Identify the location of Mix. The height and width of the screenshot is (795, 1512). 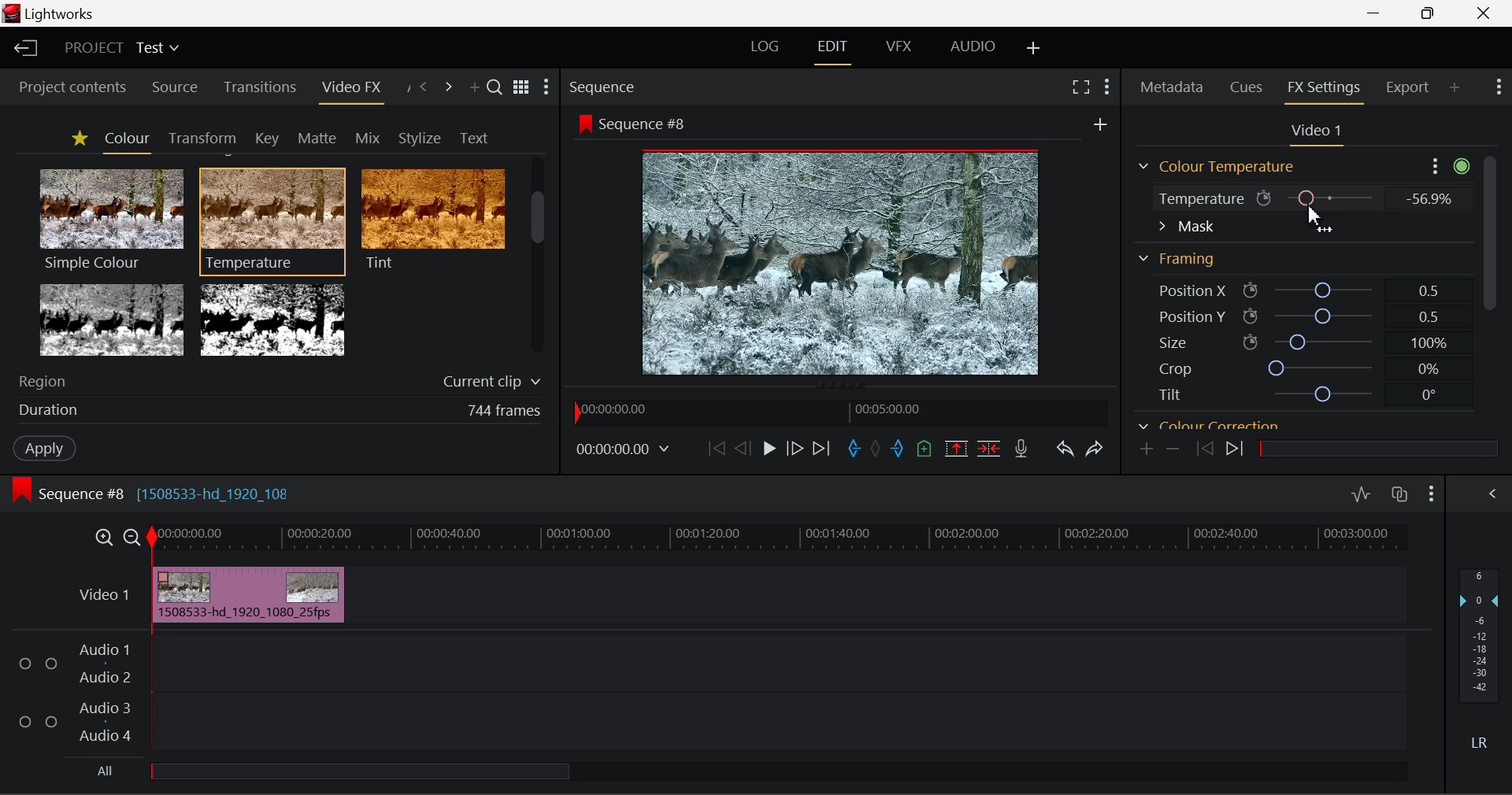
(369, 135).